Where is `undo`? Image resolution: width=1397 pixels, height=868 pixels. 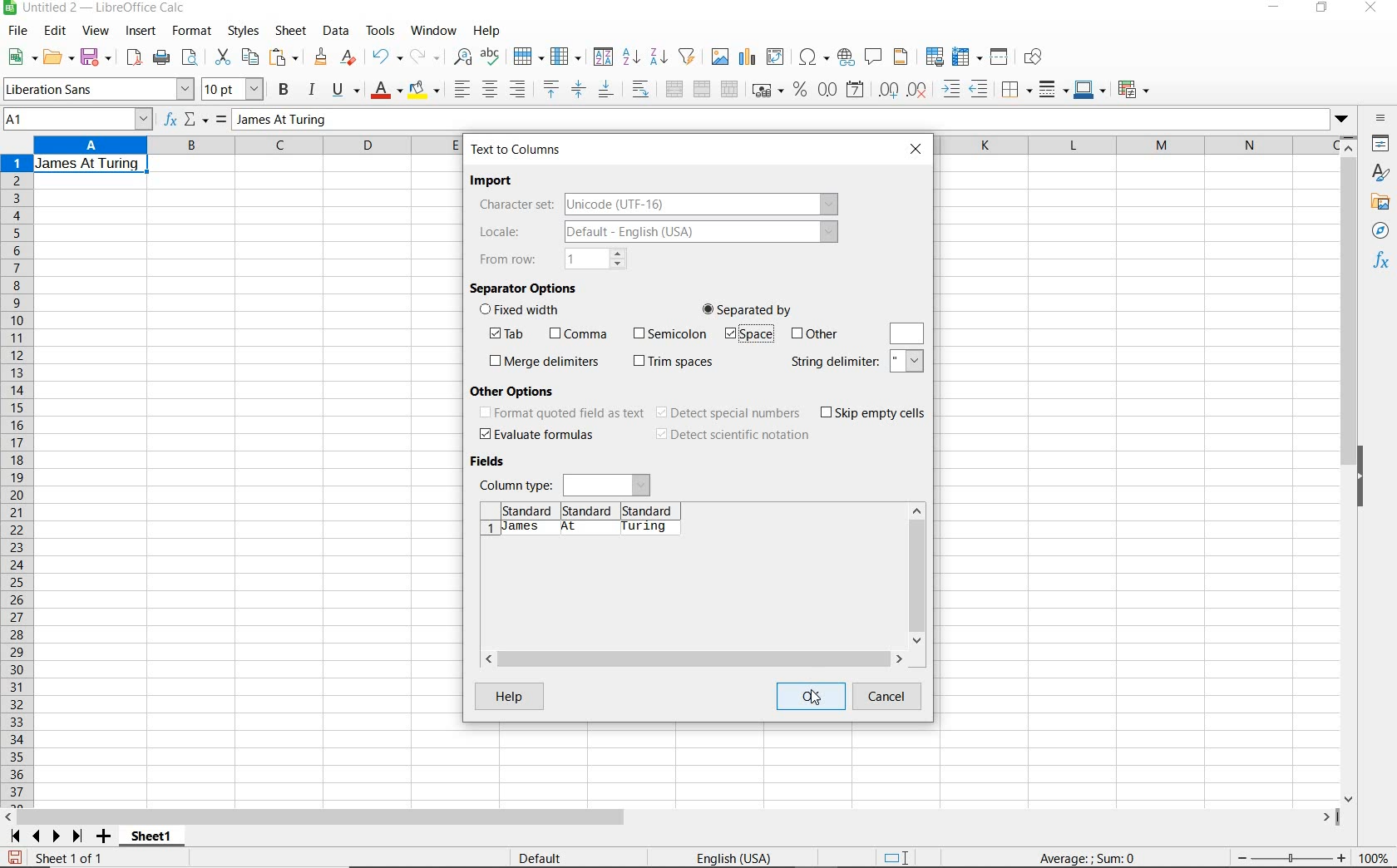
undo is located at coordinates (386, 57).